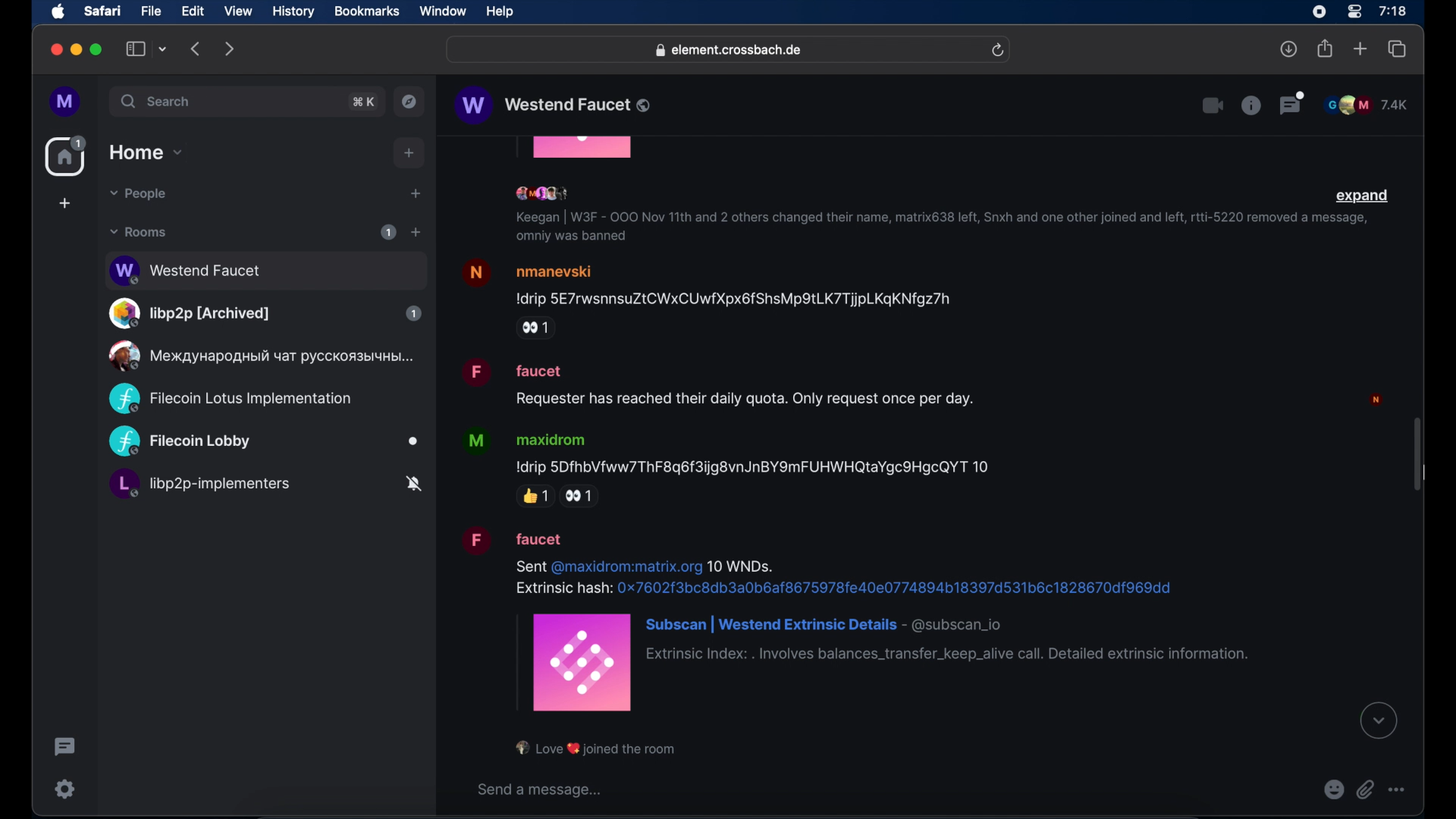  What do you see at coordinates (1250, 105) in the screenshot?
I see `room info` at bounding box center [1250, 105].